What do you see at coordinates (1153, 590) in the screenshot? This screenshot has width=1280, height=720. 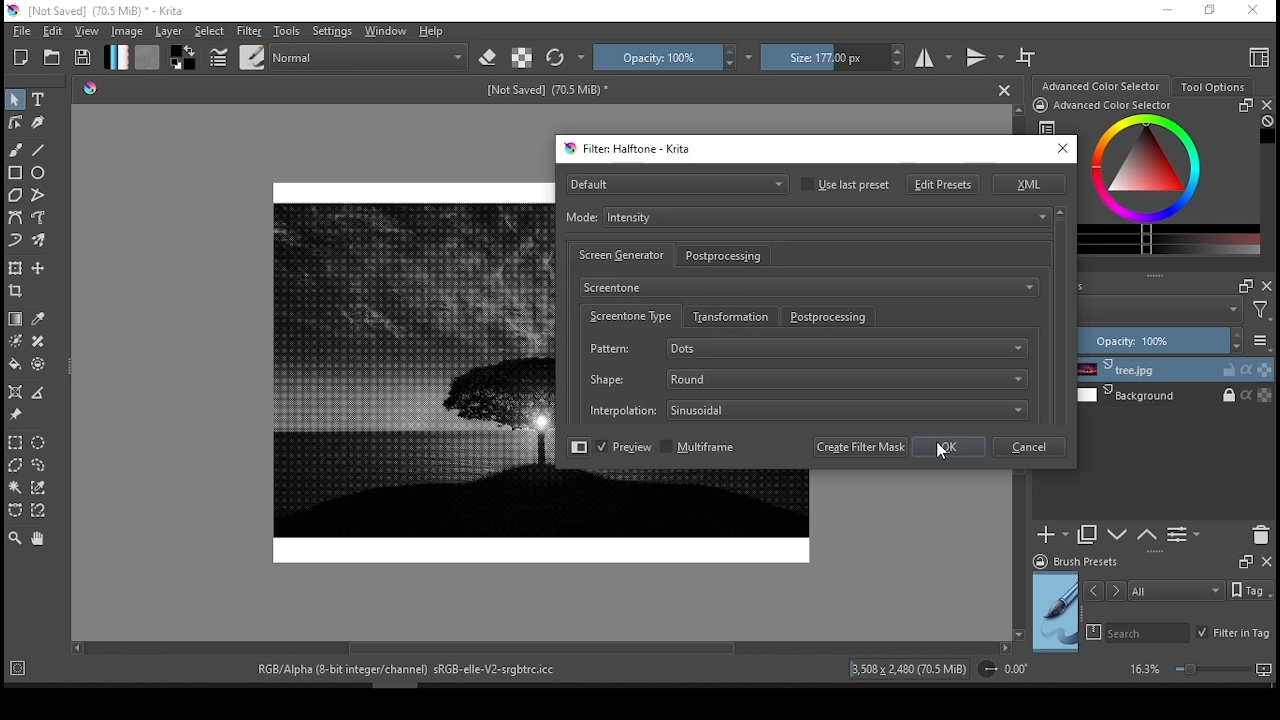 I see `tags` at bounding box center [1153, 590].